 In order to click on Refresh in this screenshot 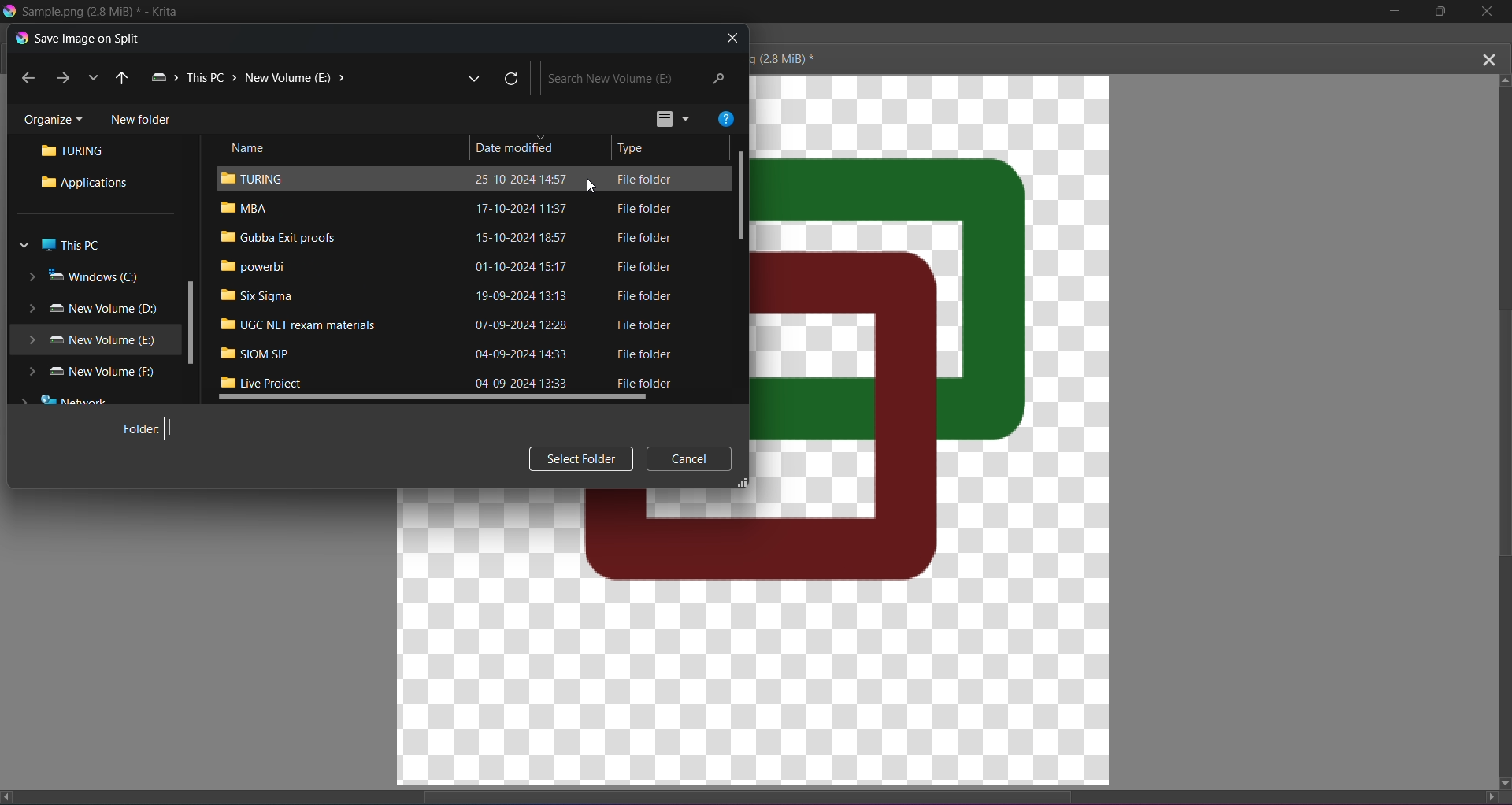, I will do `click(516, 77)`.